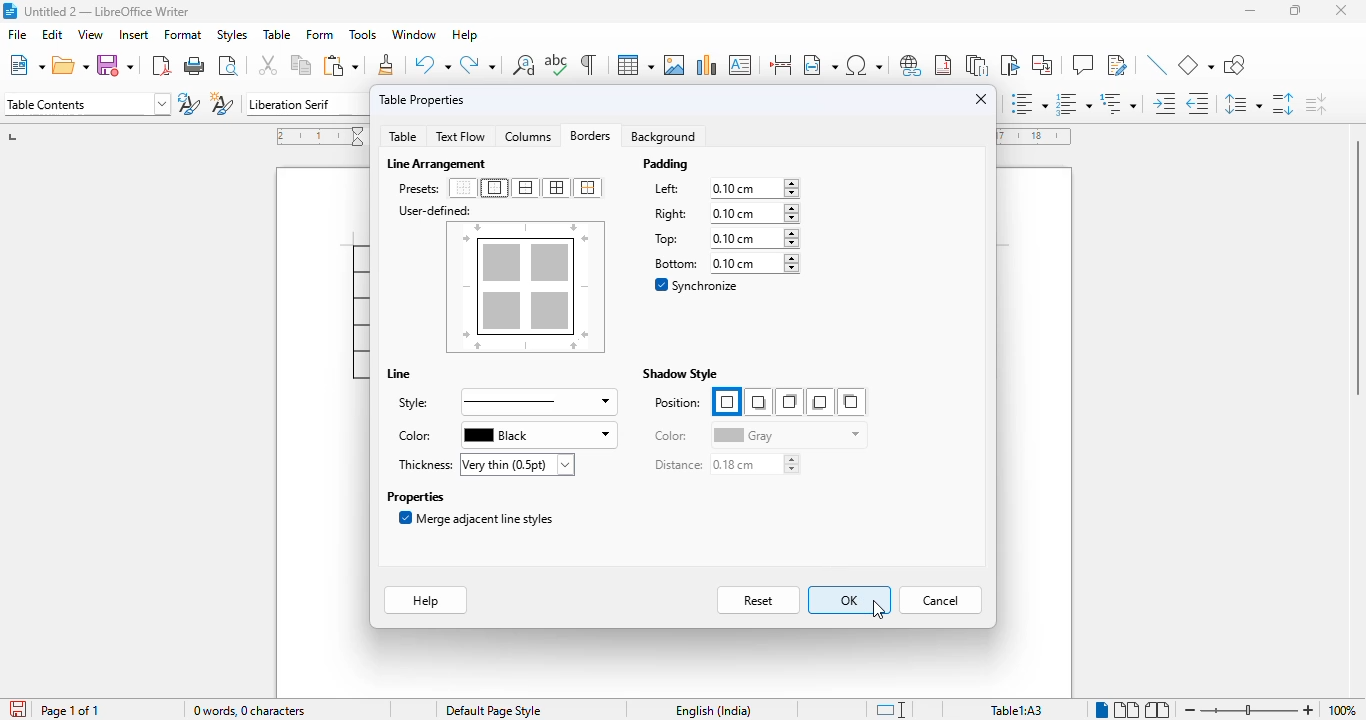 The image size is (1366, 720). I want to click on redo, so click(477, 64).